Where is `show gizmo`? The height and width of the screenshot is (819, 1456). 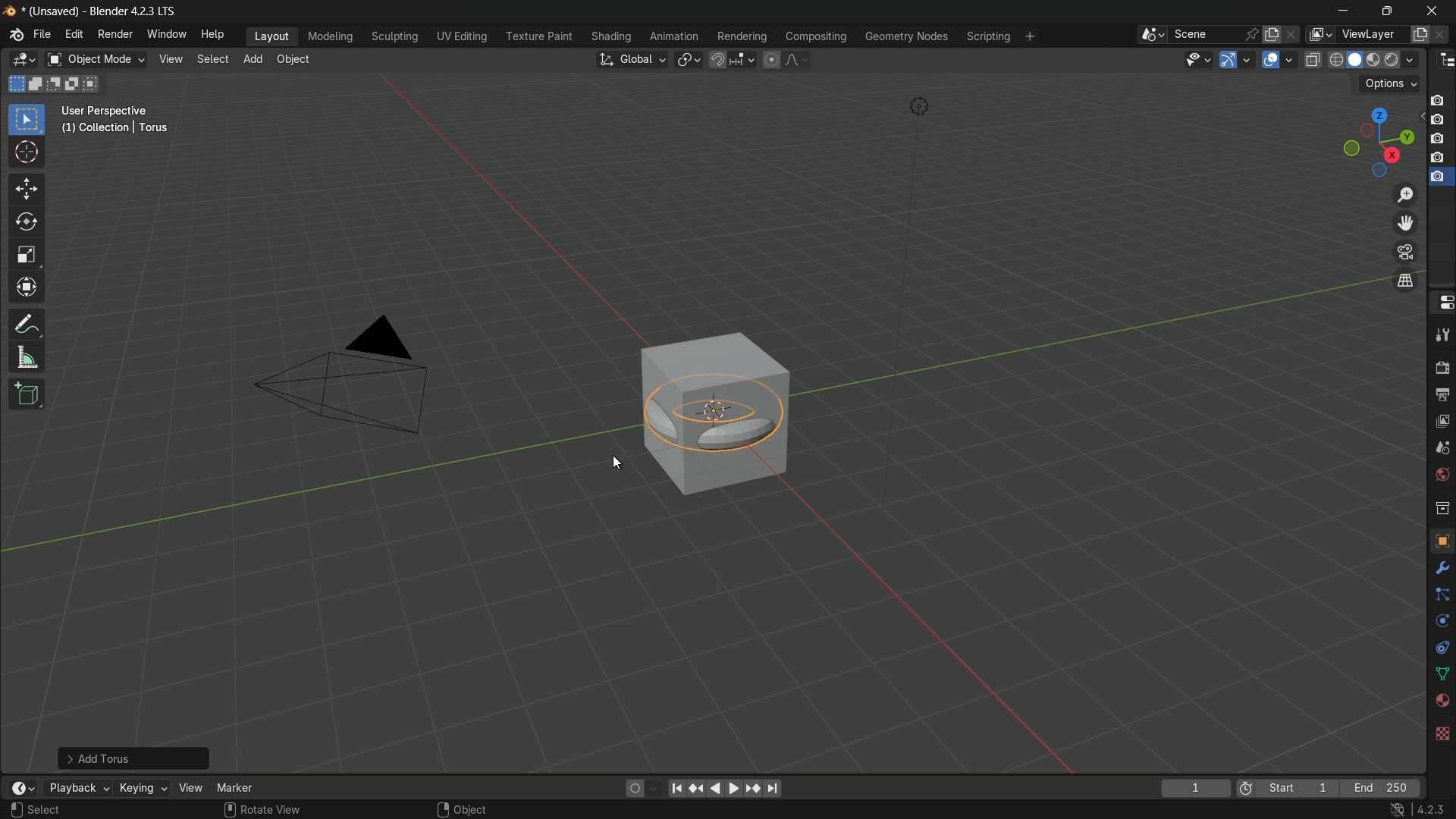
show gizmo is located at coordinates (1228, 60).